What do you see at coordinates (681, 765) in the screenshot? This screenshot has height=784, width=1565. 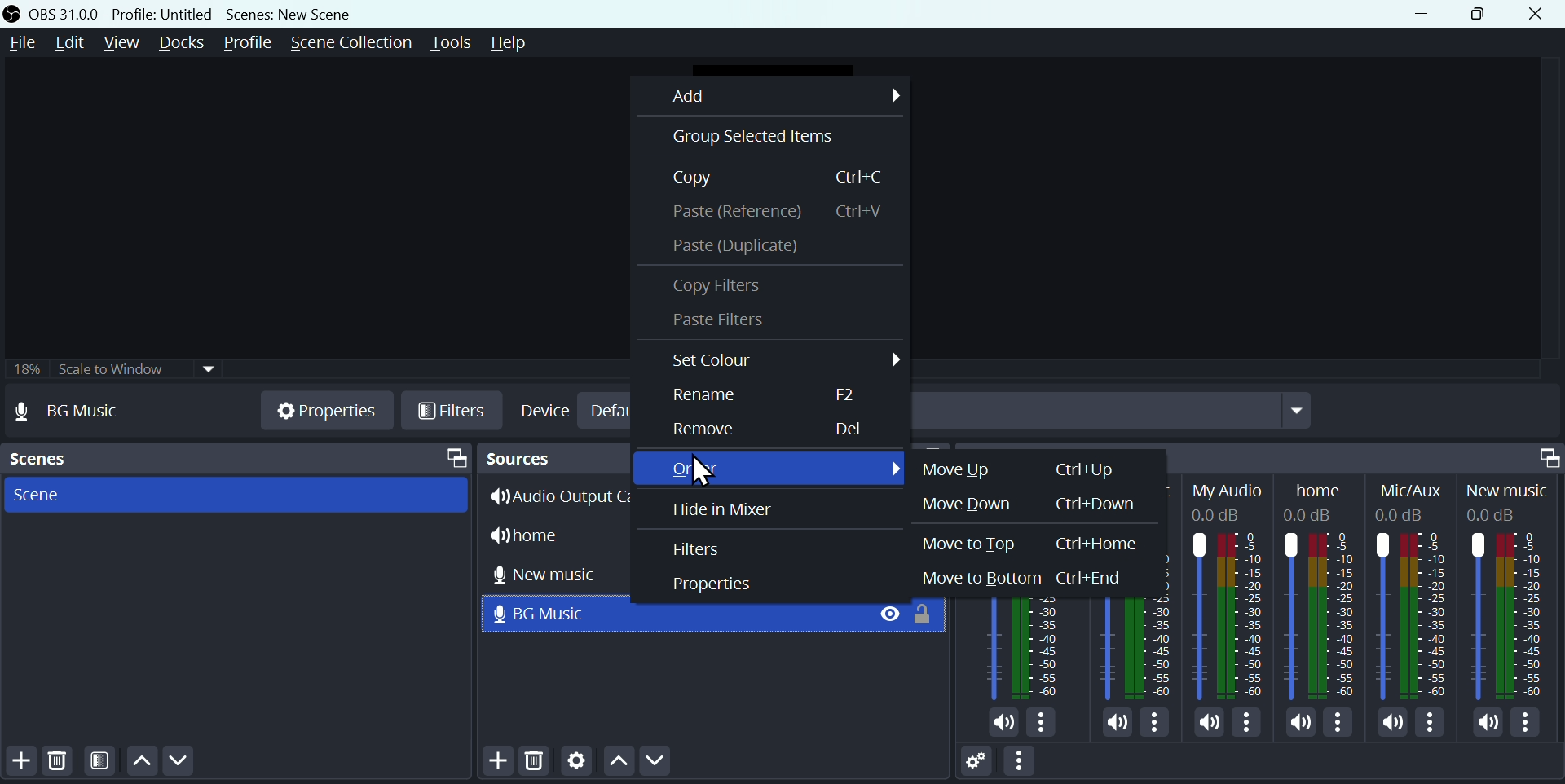 I see `Down` at bounding box center [681, 765].